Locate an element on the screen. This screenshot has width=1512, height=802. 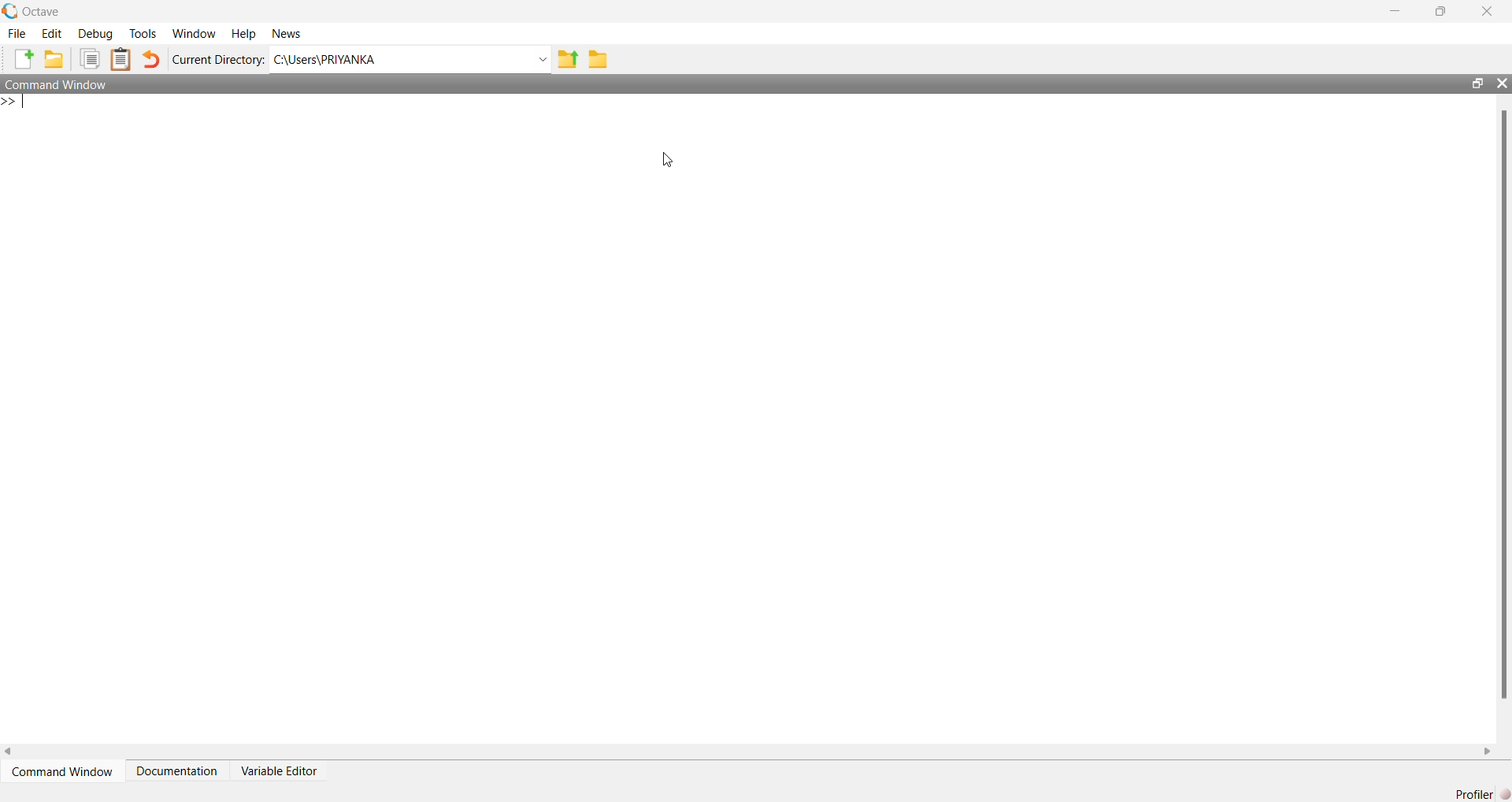
New Folder is located at coordinates (54, 59).